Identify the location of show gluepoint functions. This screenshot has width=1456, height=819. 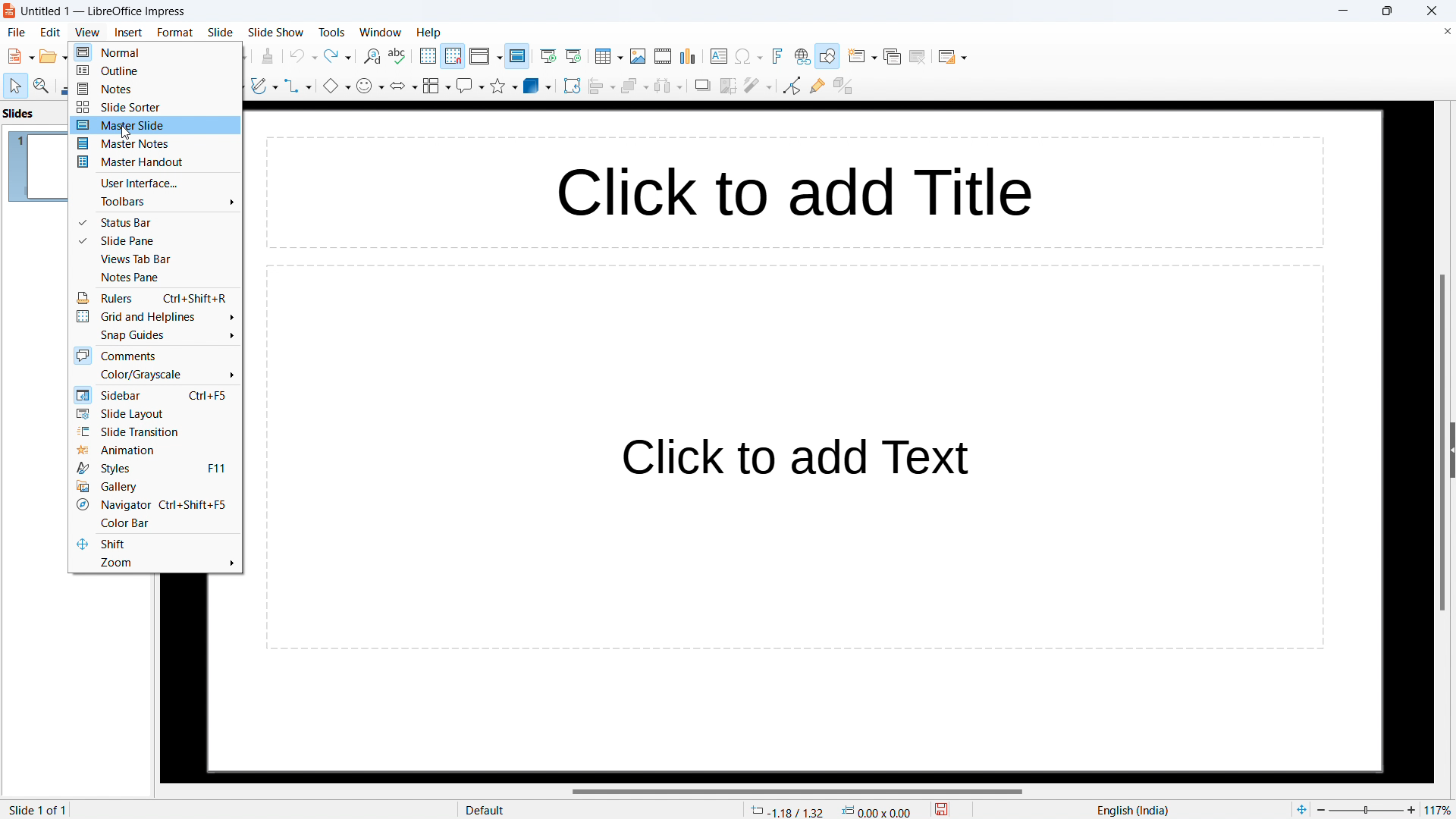
(817, 86).